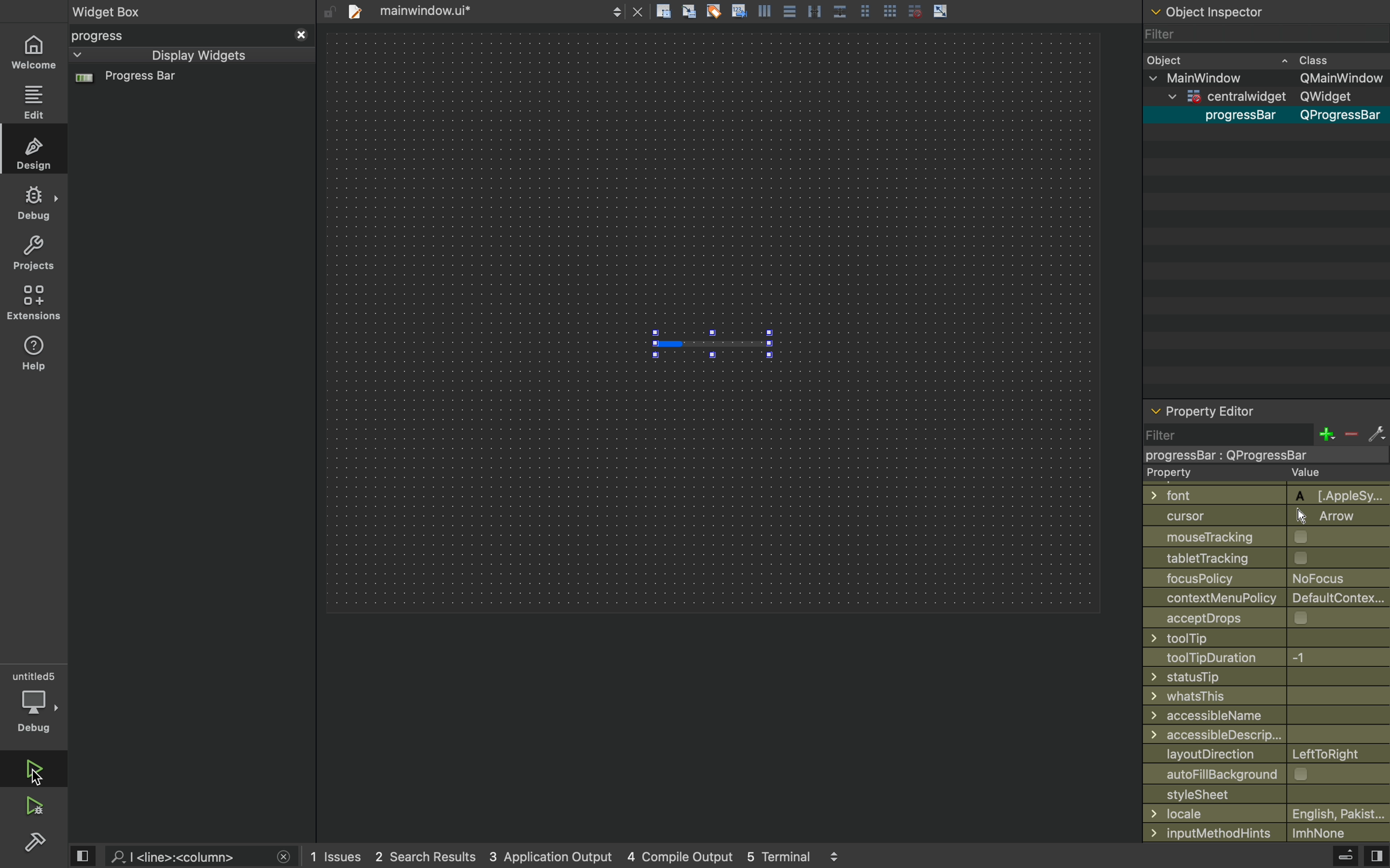  I want to click on accessiblename, so click(1262, 715).